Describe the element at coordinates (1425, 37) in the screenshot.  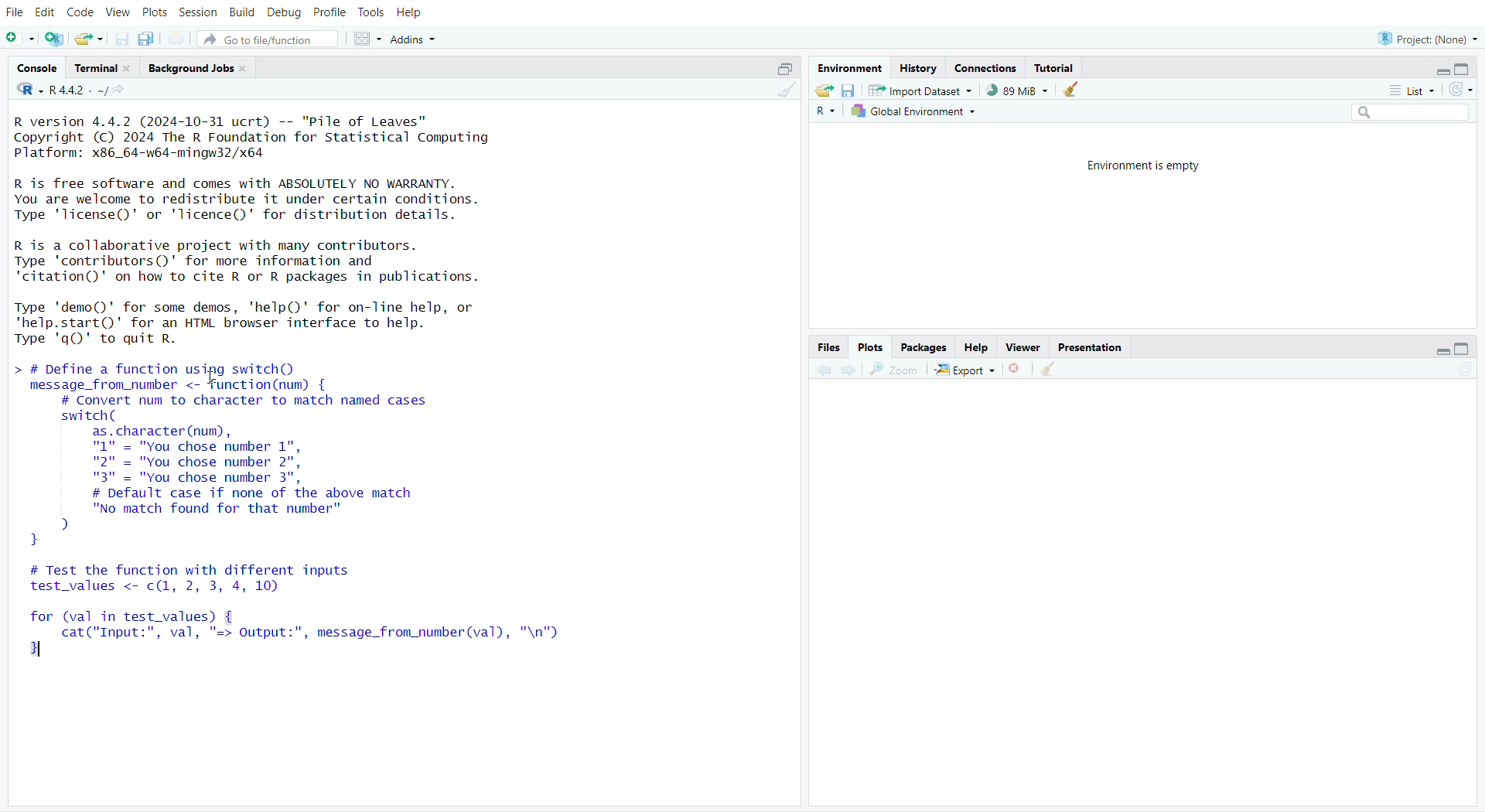
I see `Project (Note)` at that location.